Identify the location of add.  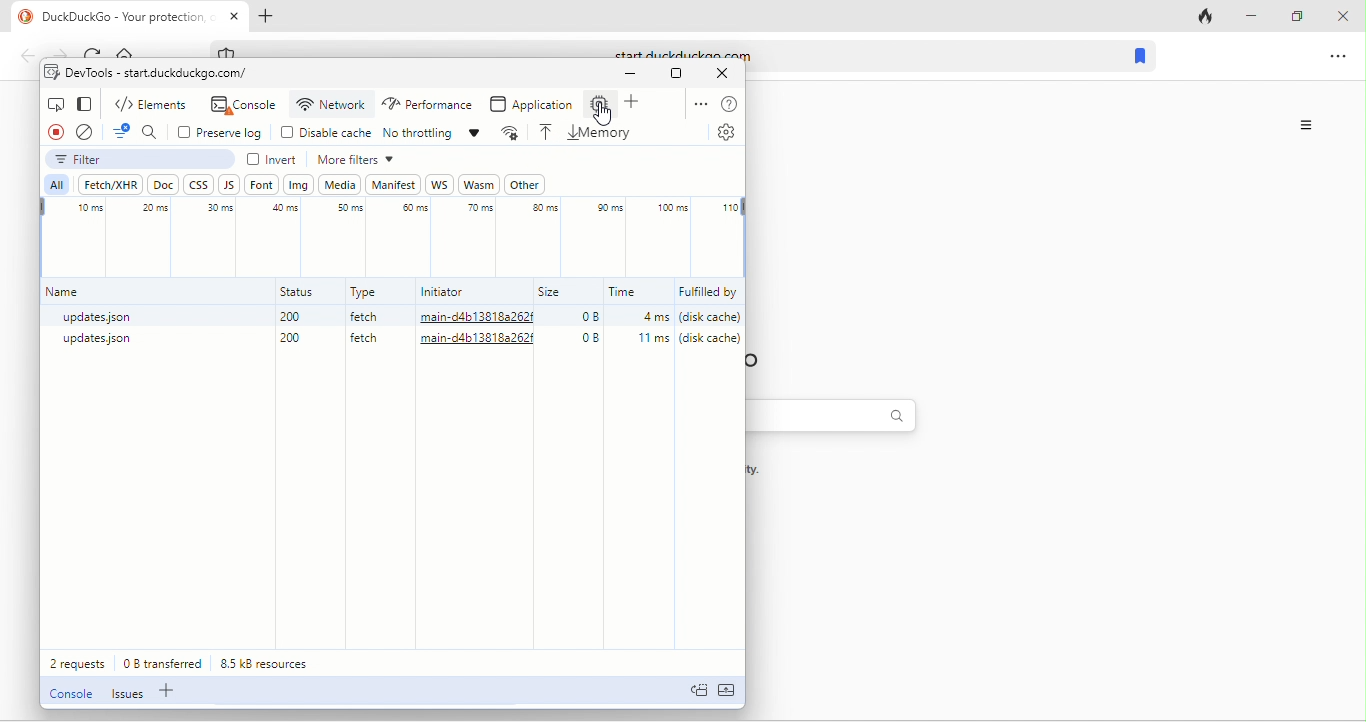
(636, 104).